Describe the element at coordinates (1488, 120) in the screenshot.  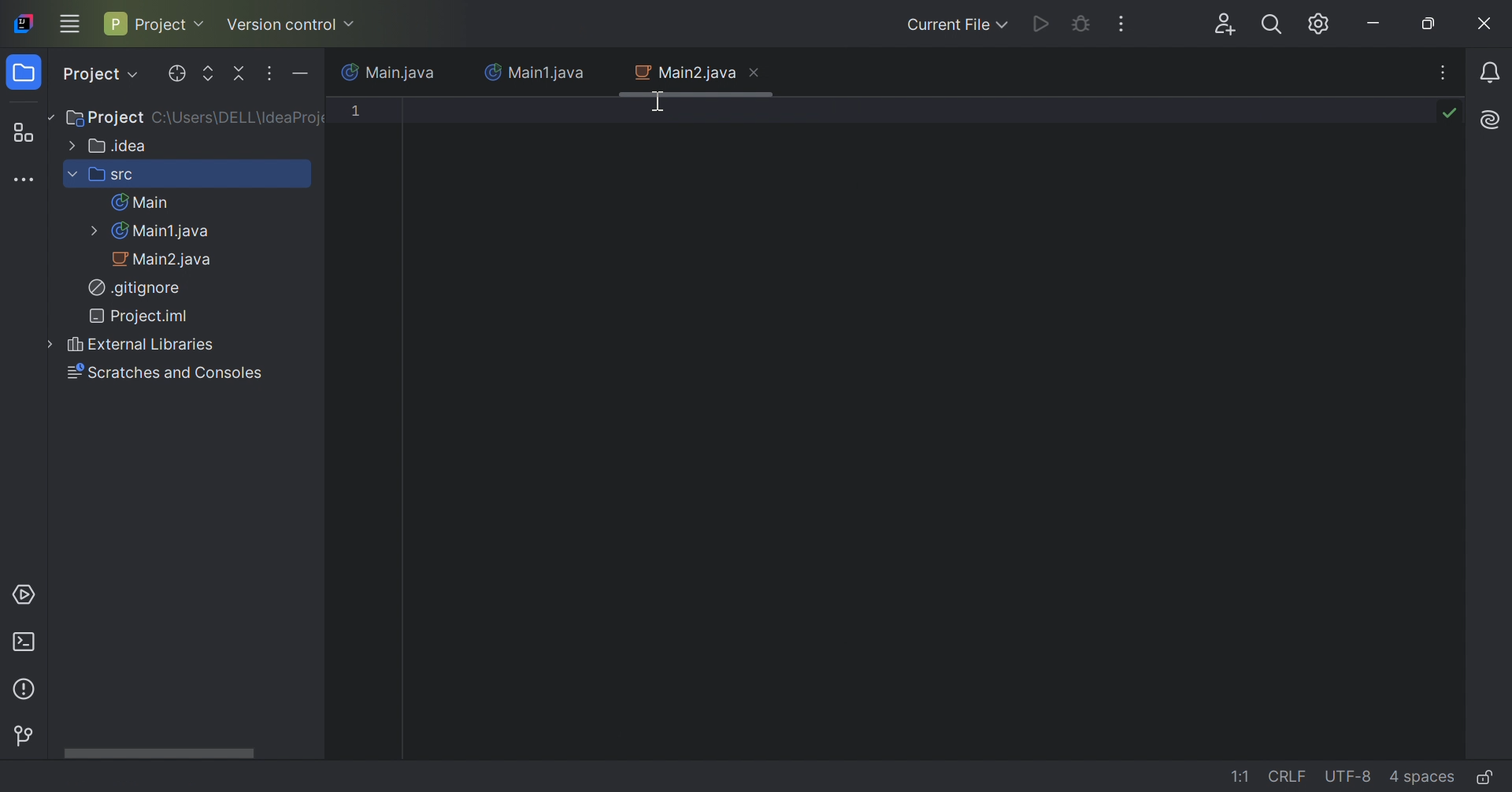
I see `AI Assistant` at that location.